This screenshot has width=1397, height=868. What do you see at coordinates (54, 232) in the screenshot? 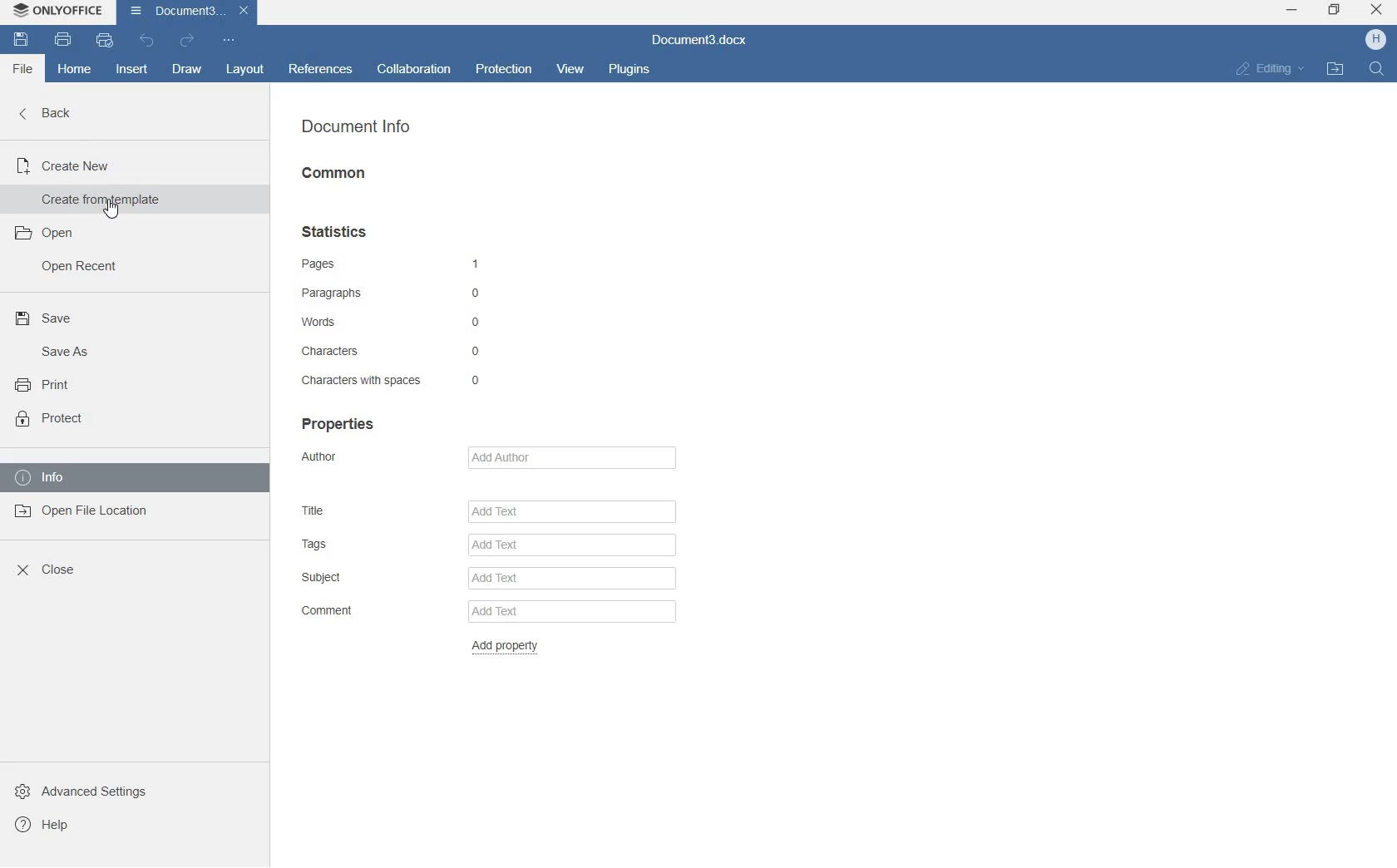
I see `open` at bounding box center [54, 232].